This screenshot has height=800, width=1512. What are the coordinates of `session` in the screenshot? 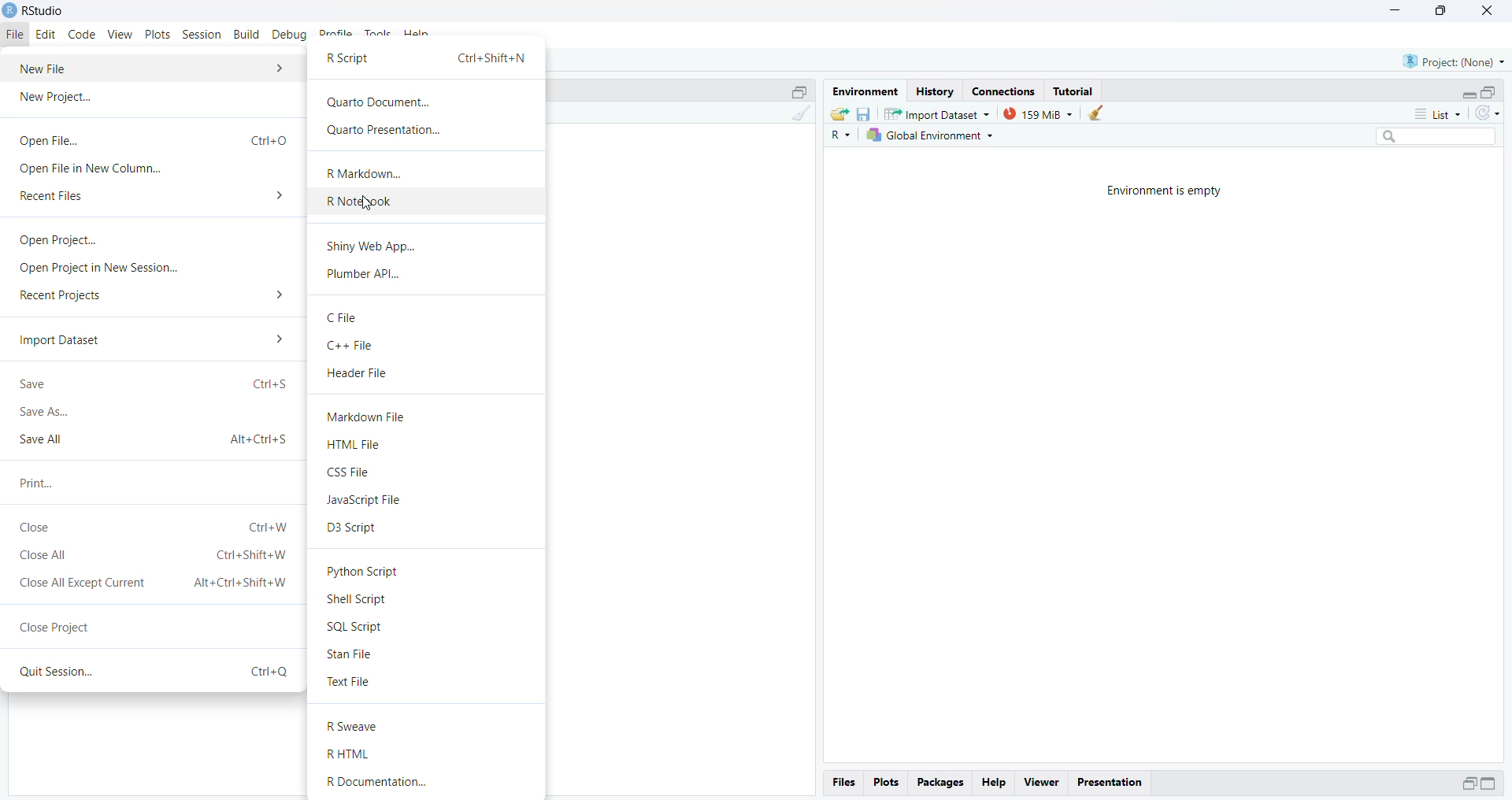 It's located at (202, 35).